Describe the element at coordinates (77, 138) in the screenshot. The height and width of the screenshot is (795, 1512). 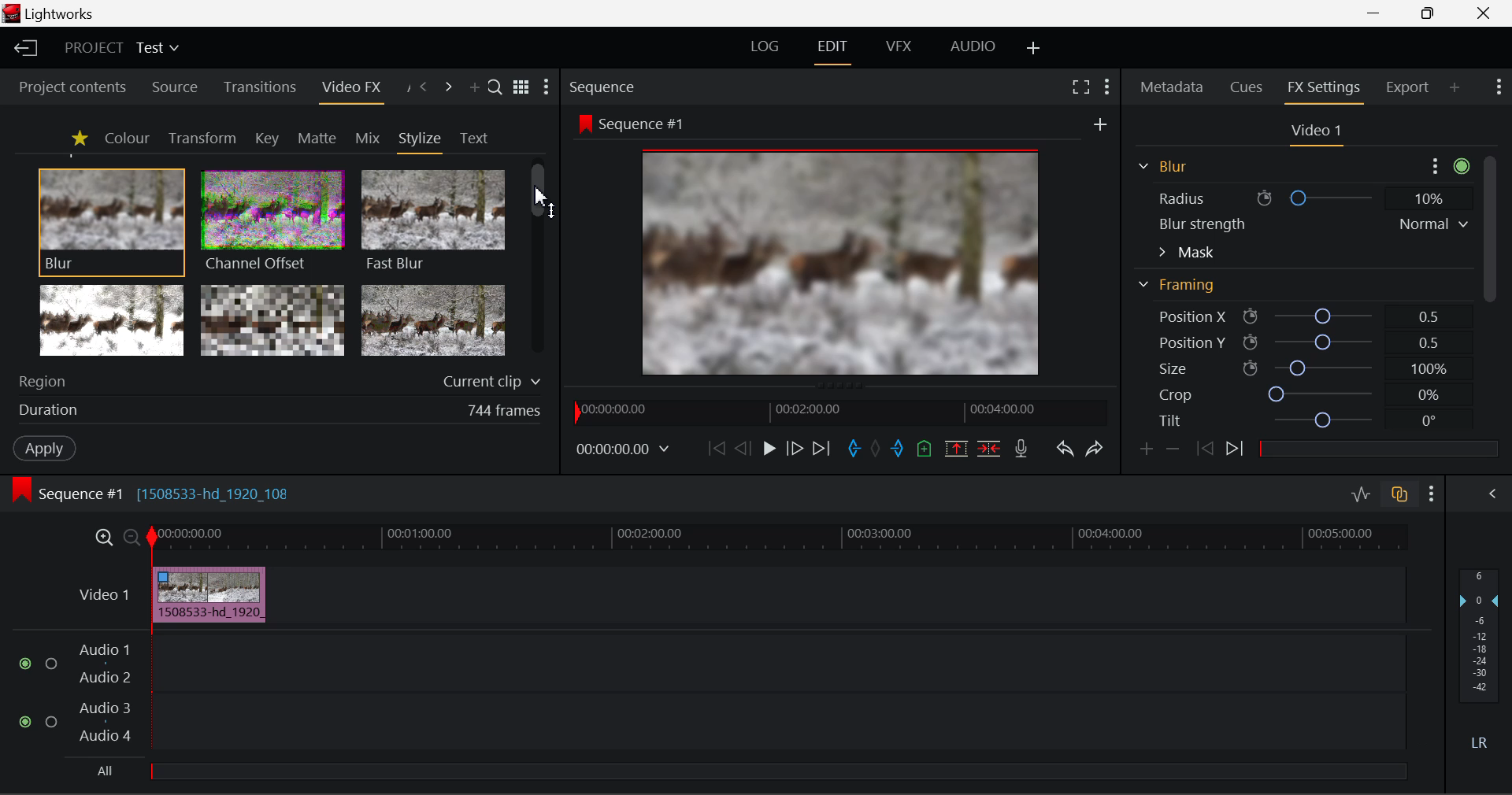
I see `Favourites` at that location.